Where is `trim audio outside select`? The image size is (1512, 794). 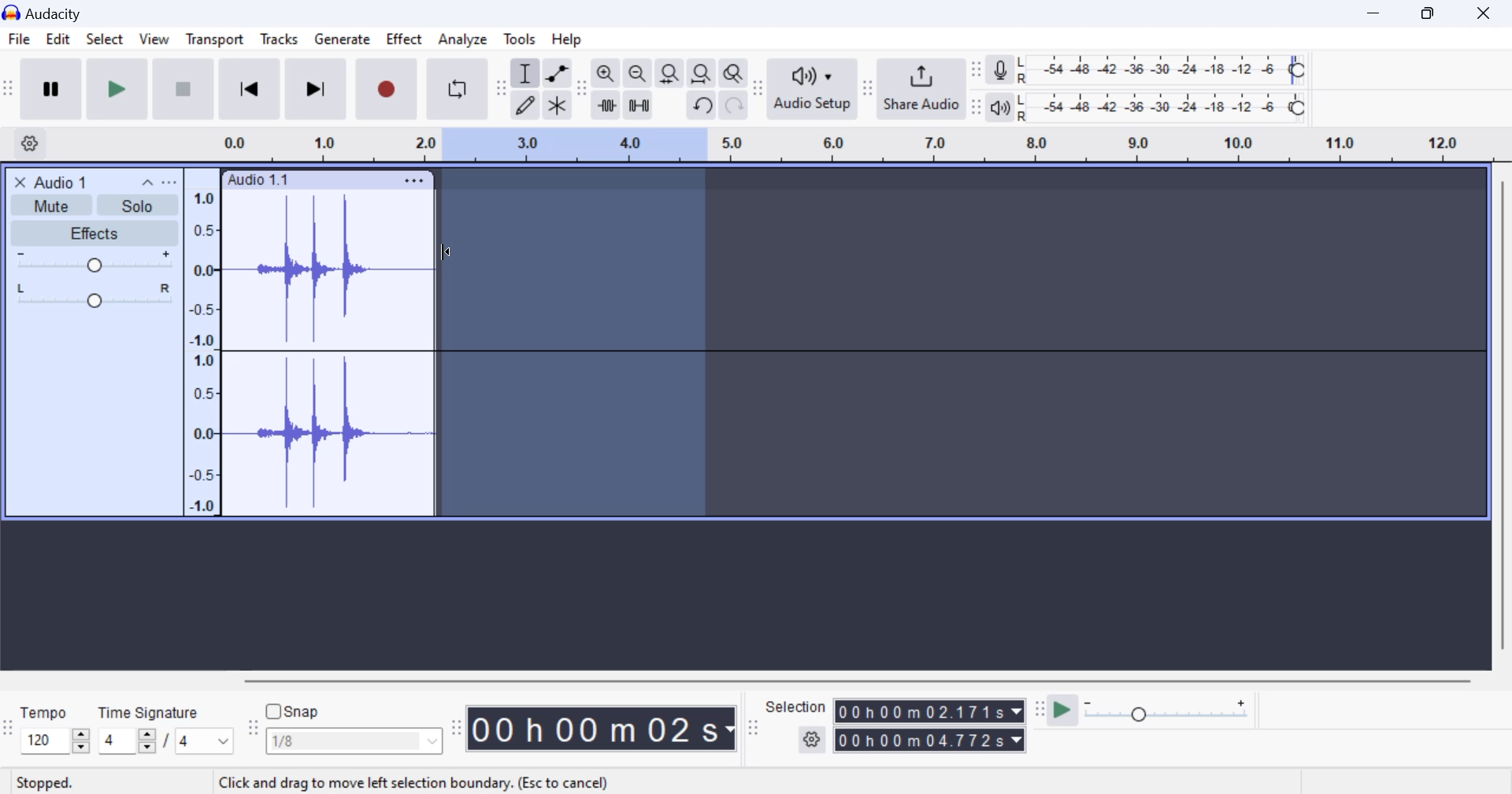
trim audio outside select is located at coordinates (607, 105).